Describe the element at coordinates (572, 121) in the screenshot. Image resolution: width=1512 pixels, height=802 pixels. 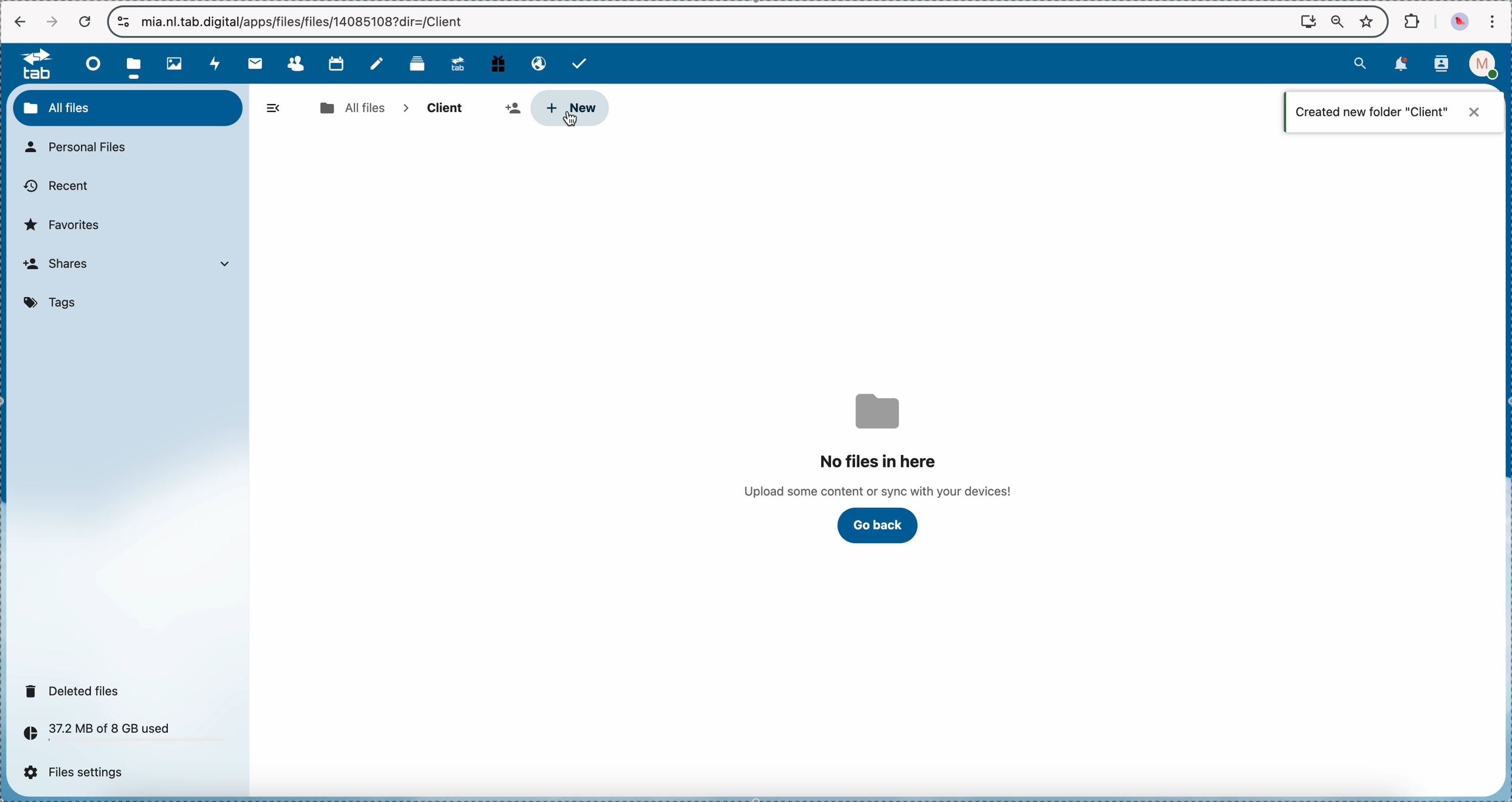
I see `cursor` at that location.